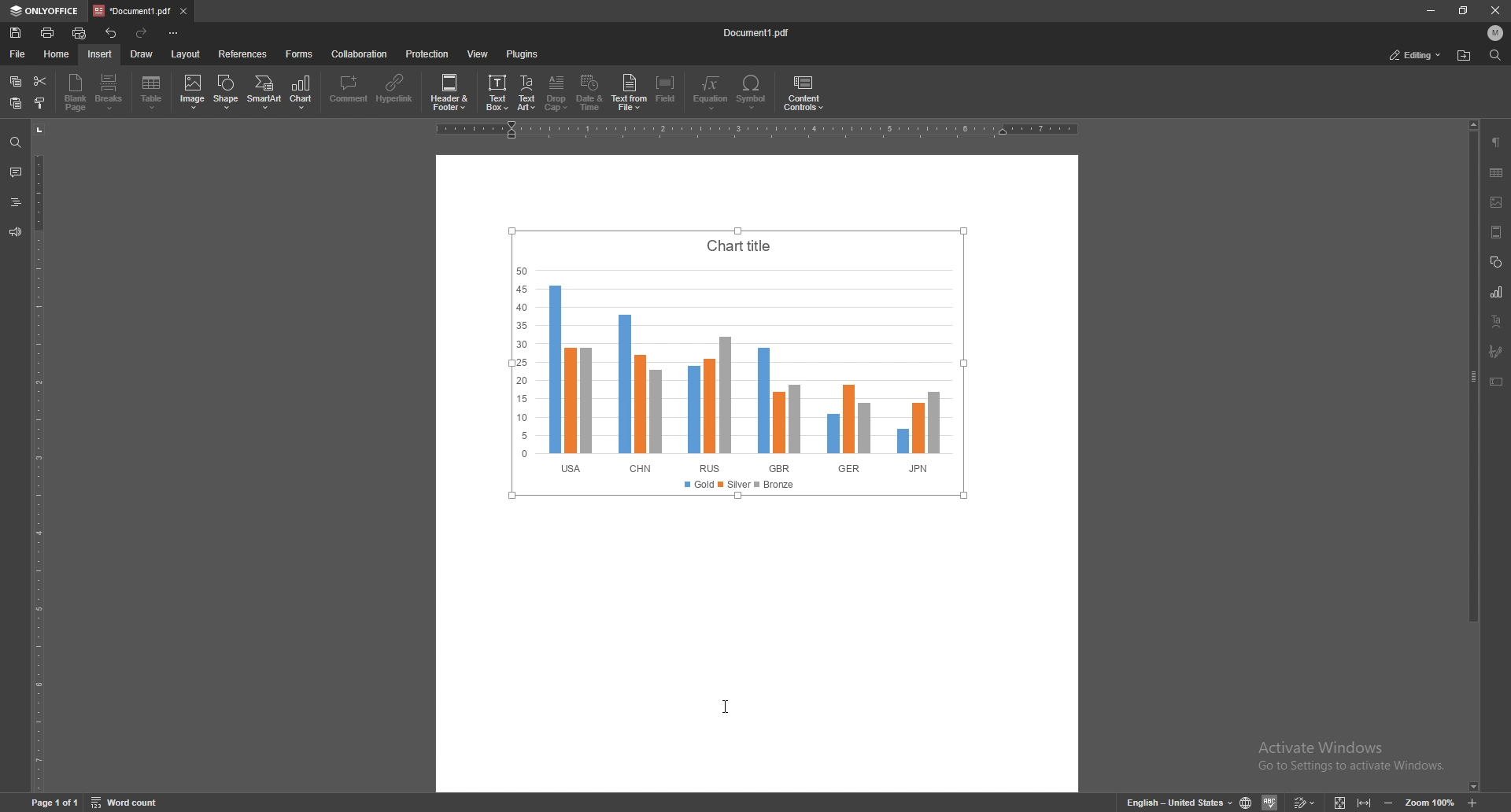 The image size is (1511, 812). Describe the element at coordinates (753, 93) in the screenshot. I see `symbol` at that location.